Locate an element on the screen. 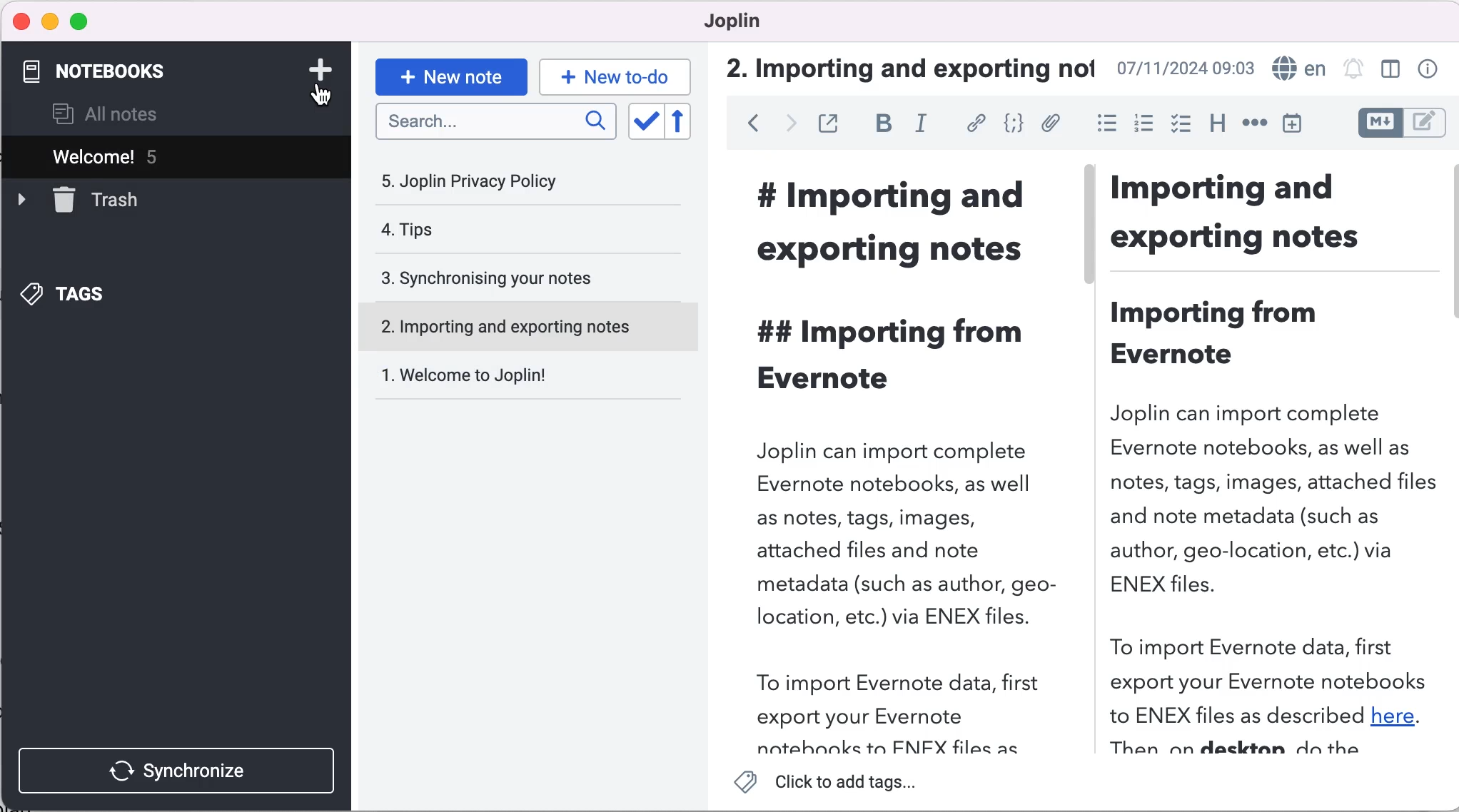 This screenshot has width=1459, height=812. importing and exporting notes is located at coordinates (523, 326).